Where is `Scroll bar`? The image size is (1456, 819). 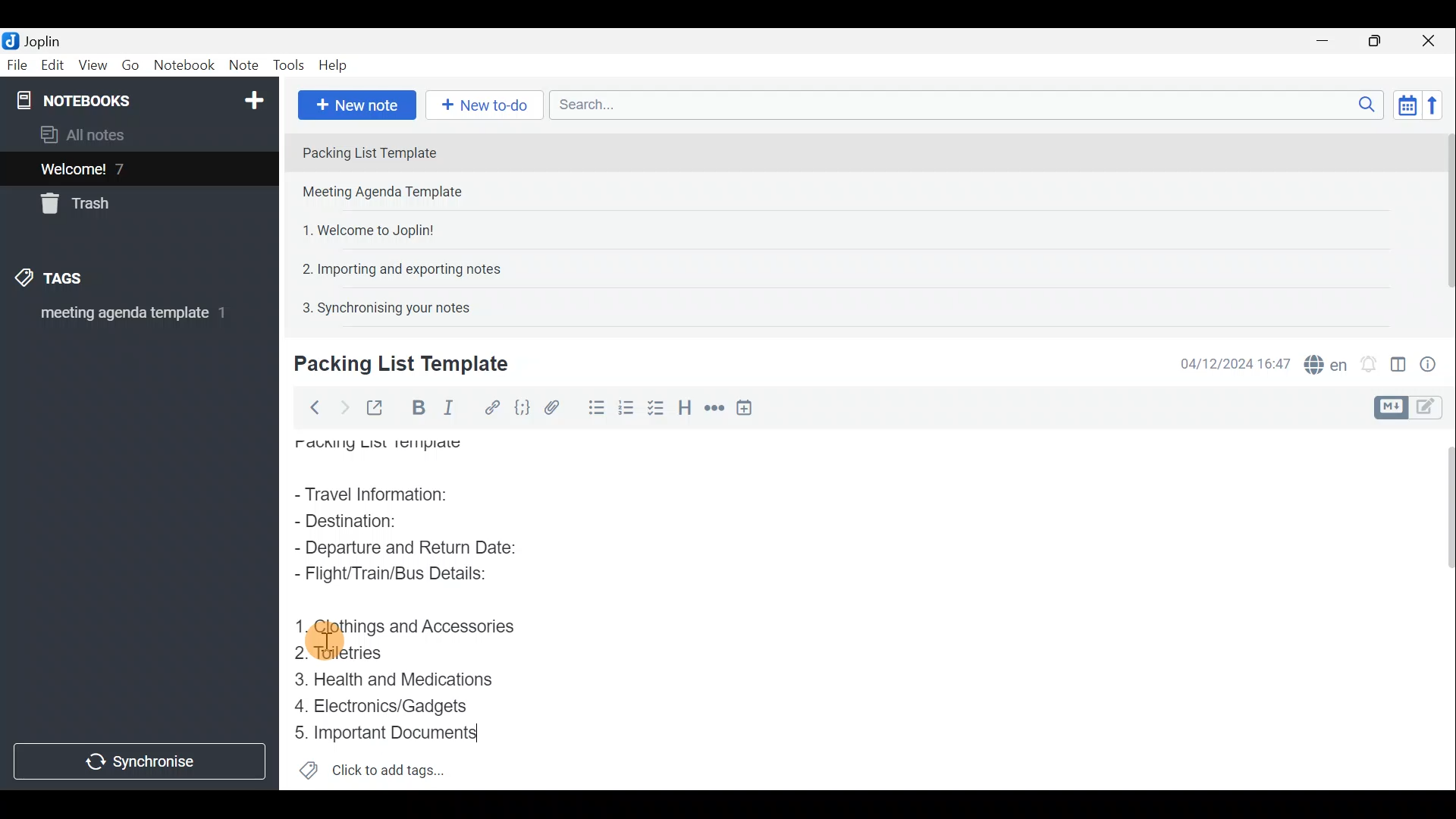 Scroll bar is located at coordinates (1442, 221).